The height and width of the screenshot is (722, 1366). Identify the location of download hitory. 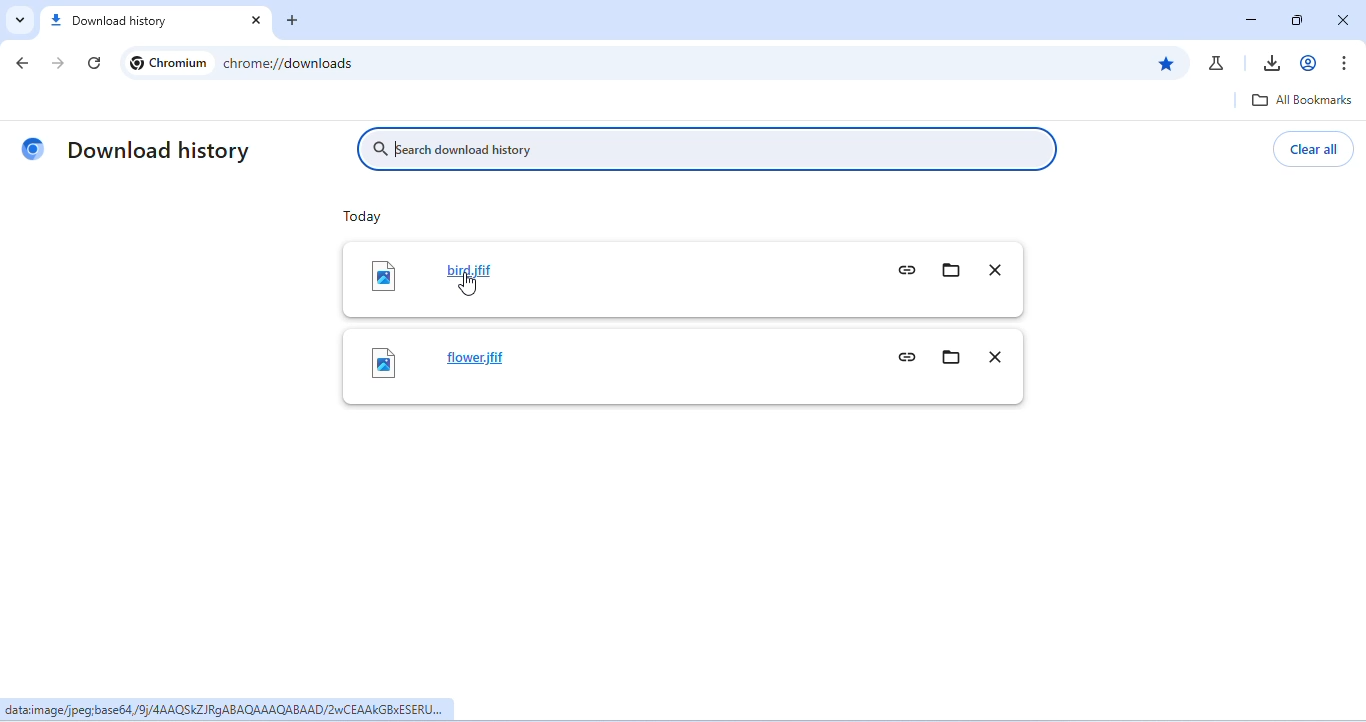
(161, 151).